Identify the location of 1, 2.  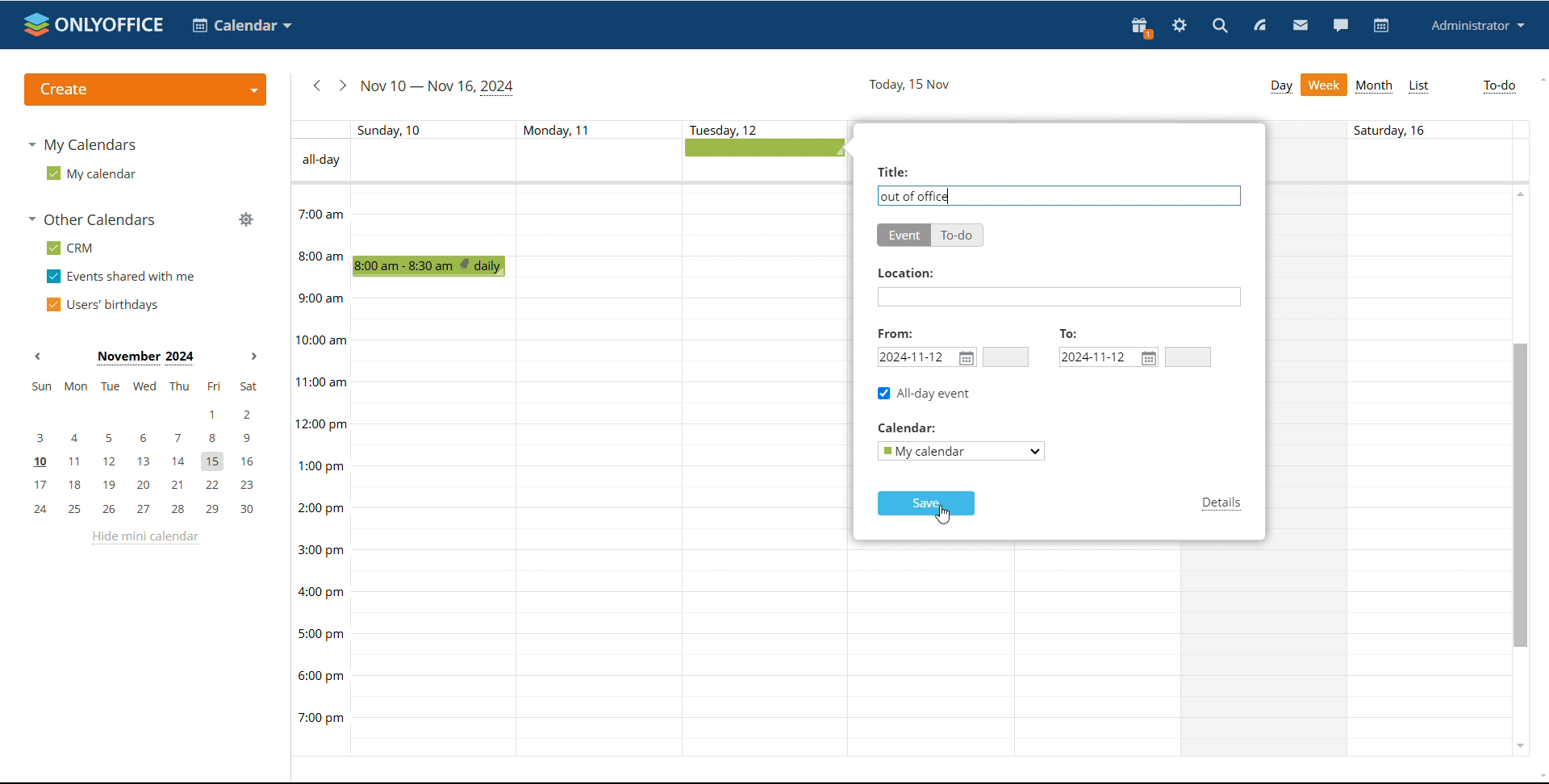
(144, 411).